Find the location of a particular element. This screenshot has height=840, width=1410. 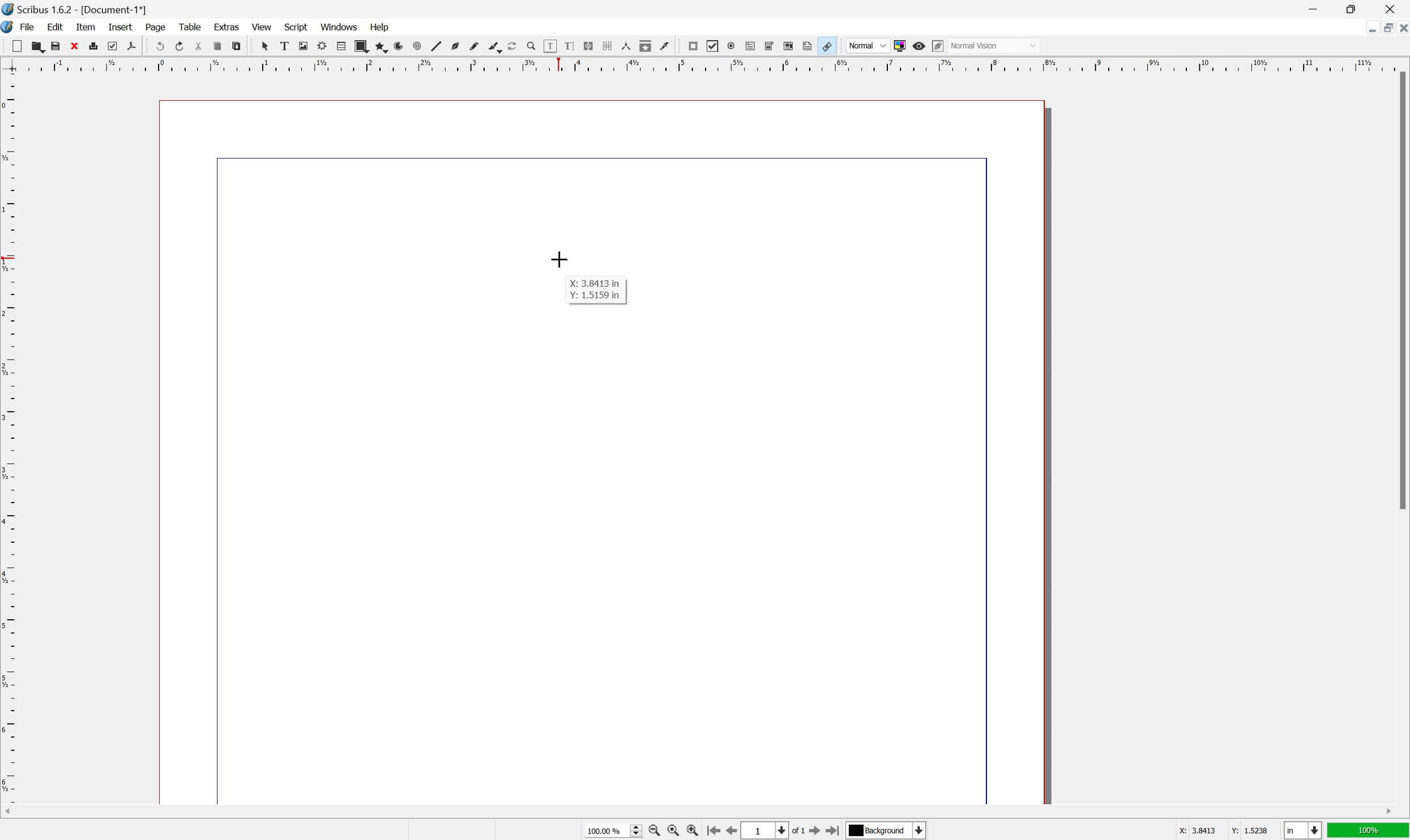

100% is located at coordinates (1369, 831).